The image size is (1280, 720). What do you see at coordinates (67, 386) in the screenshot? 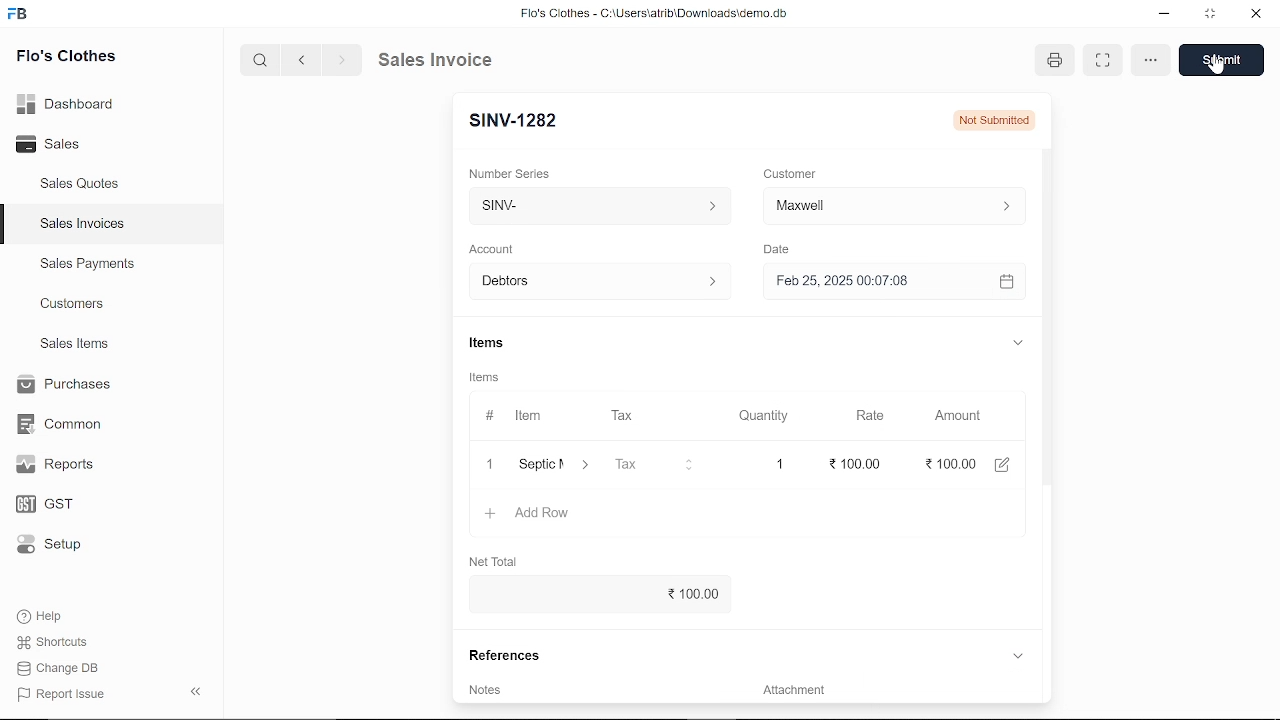
I see `Purchases` at bounding box center [67, 386].